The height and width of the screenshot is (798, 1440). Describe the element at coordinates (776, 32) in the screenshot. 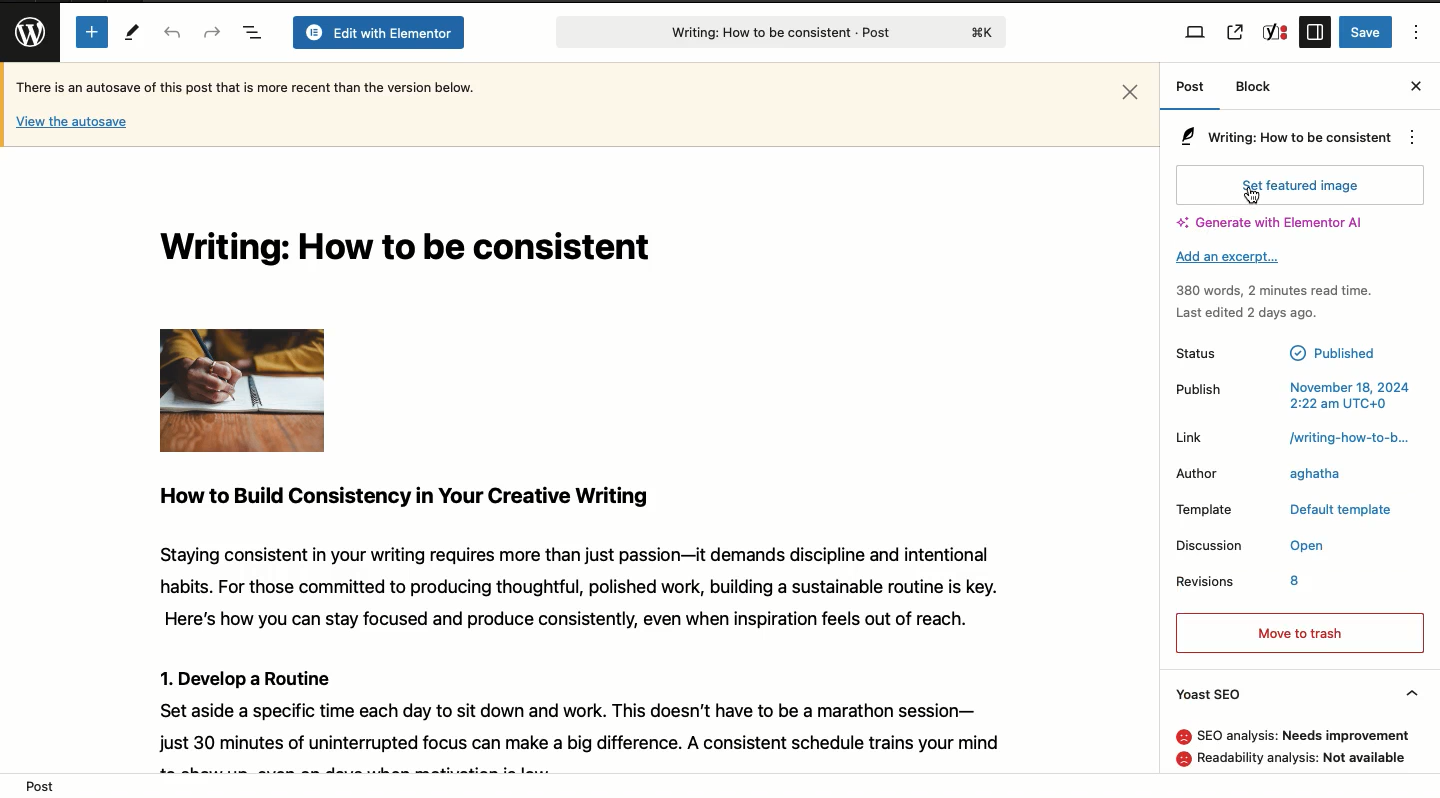

I see `Writing: How to be consistent - Post` at that location.